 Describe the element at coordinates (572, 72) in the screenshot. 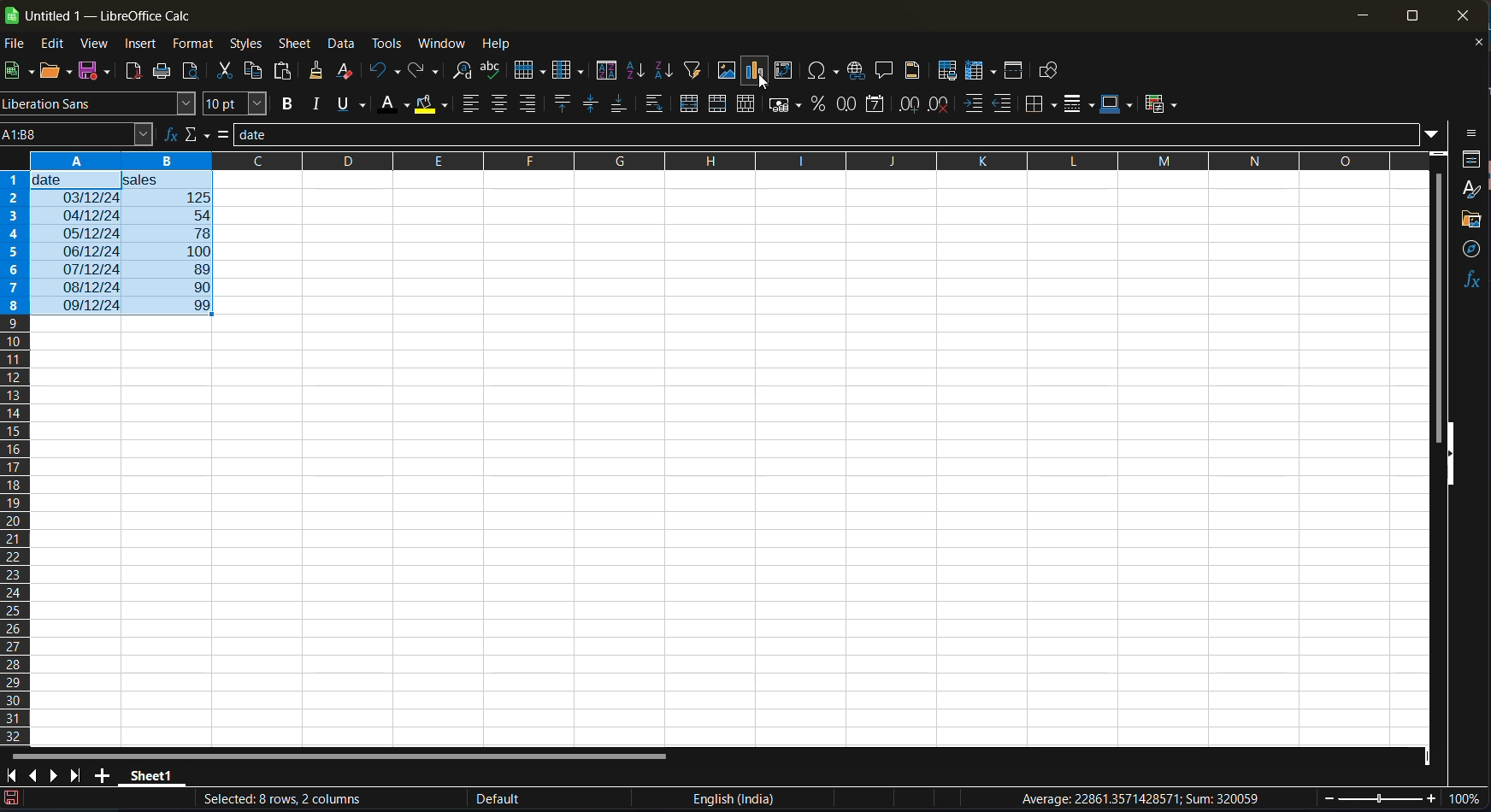

I see `column` at that location.